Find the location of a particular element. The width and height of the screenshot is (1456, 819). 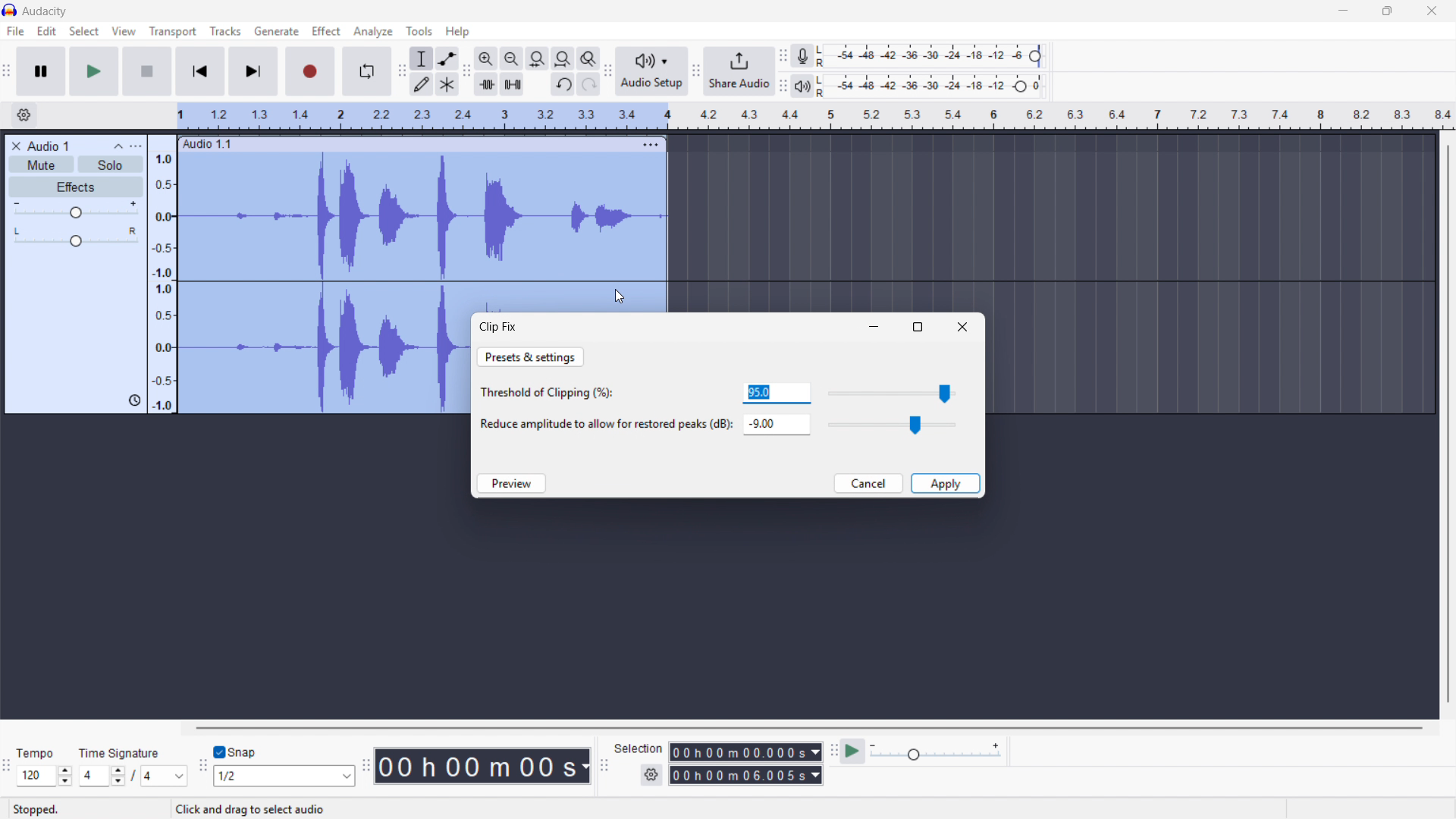

selection is located at coordinates (639, 748).